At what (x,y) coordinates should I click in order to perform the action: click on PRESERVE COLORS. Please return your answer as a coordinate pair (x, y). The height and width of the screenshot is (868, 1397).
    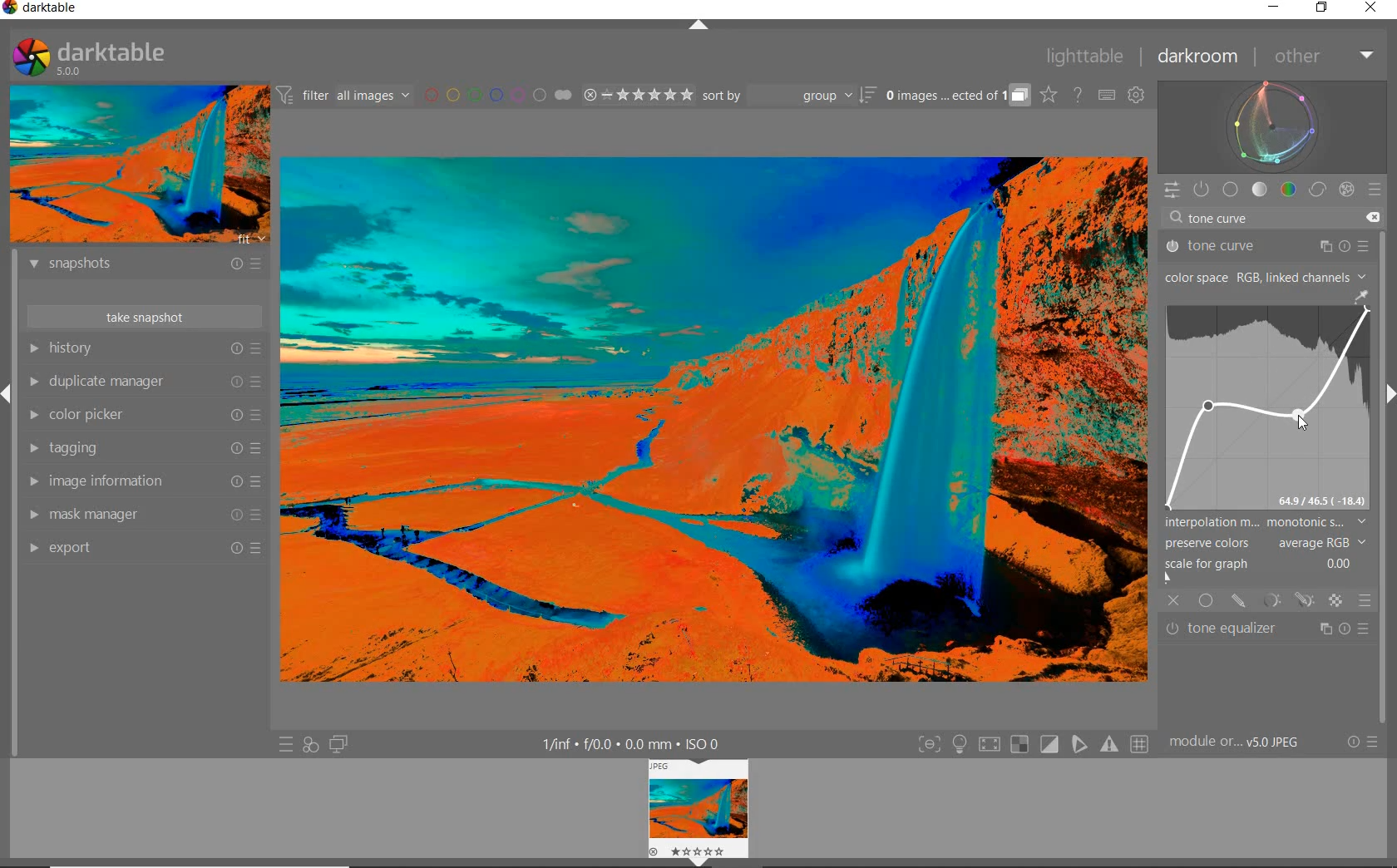
    Looking at the image, I should click on (1269, 544).